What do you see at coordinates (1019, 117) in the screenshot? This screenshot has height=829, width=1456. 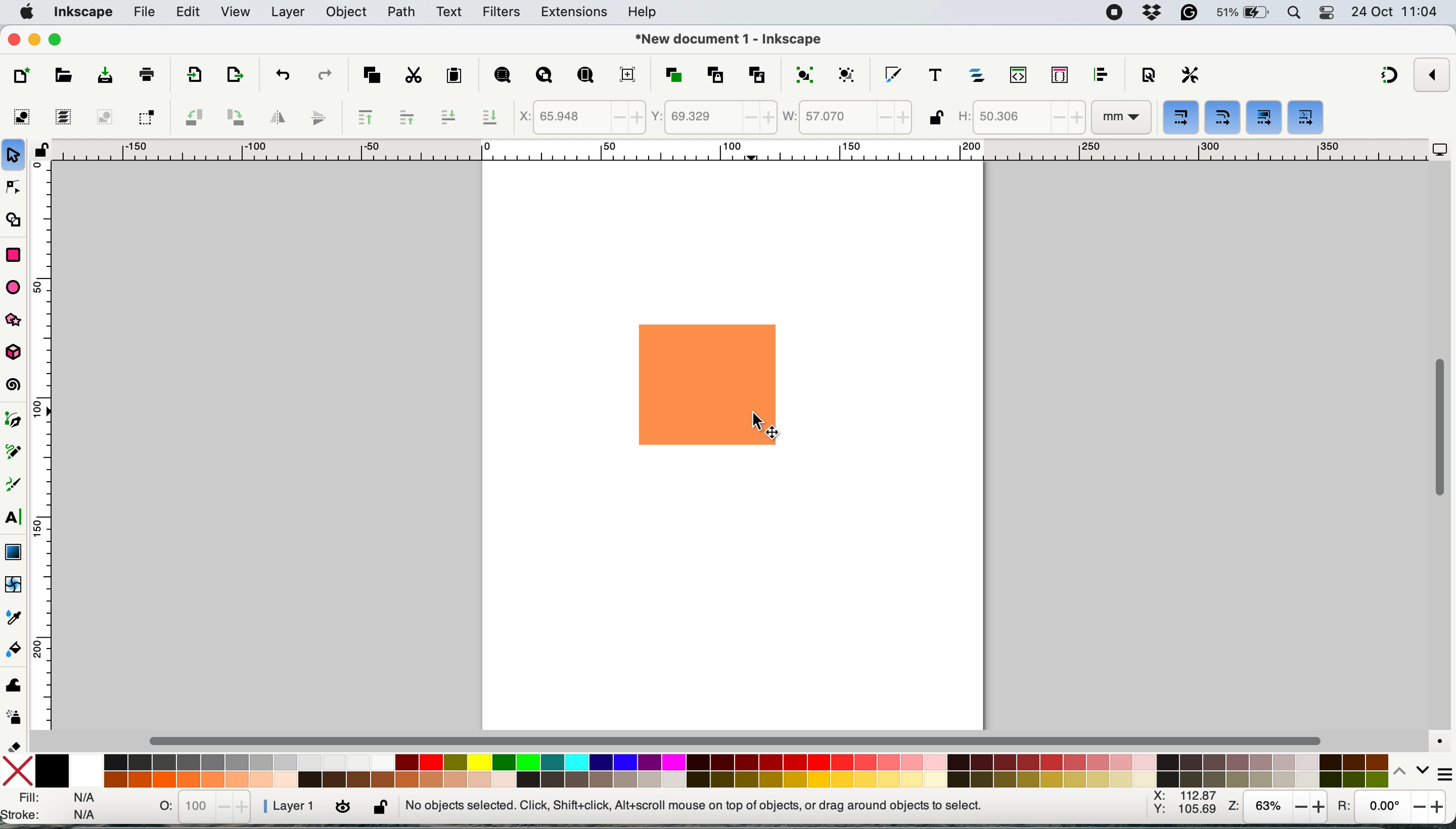 I see `height` at bounding box center [1019, 117].